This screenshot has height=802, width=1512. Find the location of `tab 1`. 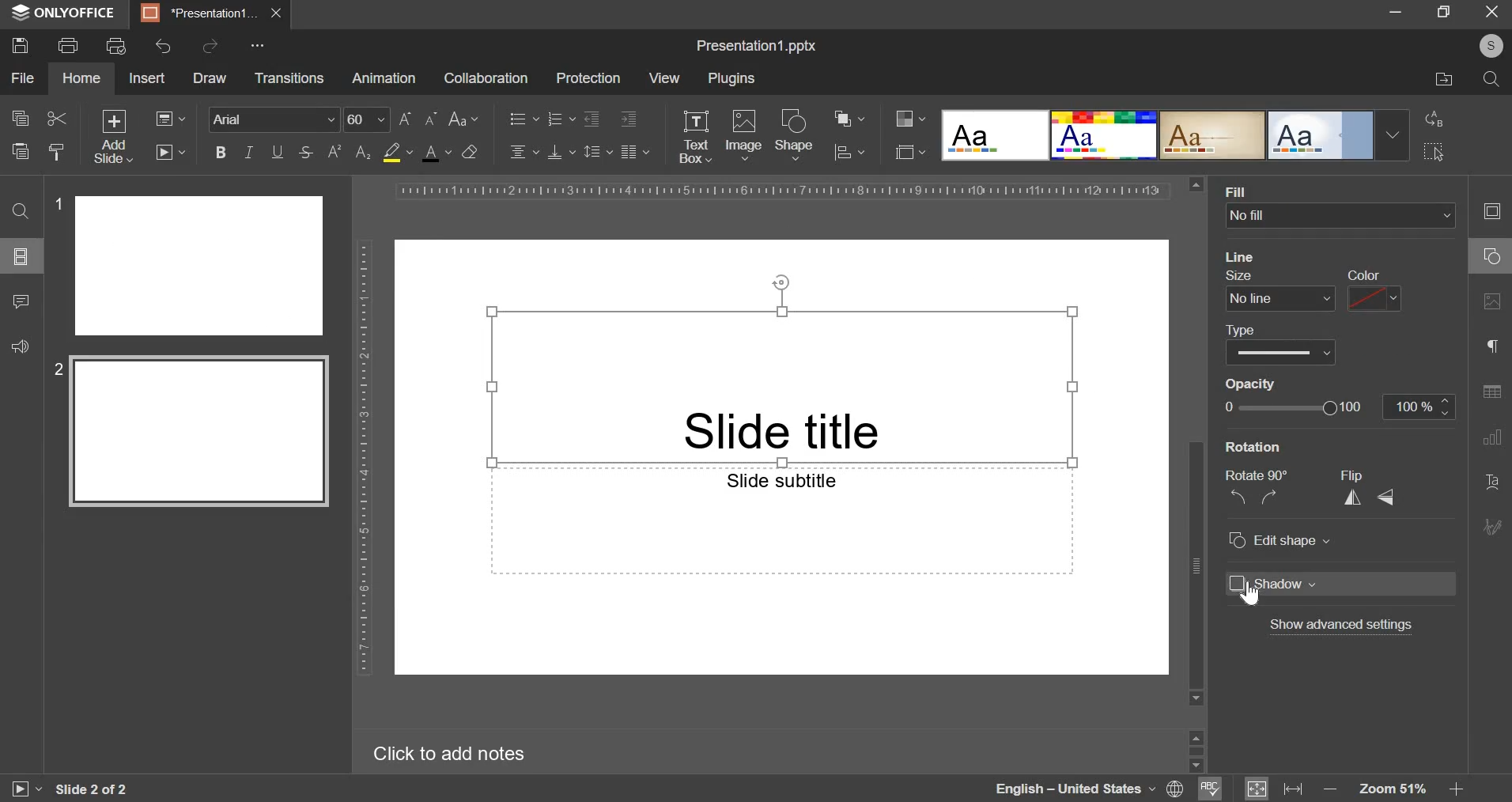

tab 1 is located at coordinates (201, 13).